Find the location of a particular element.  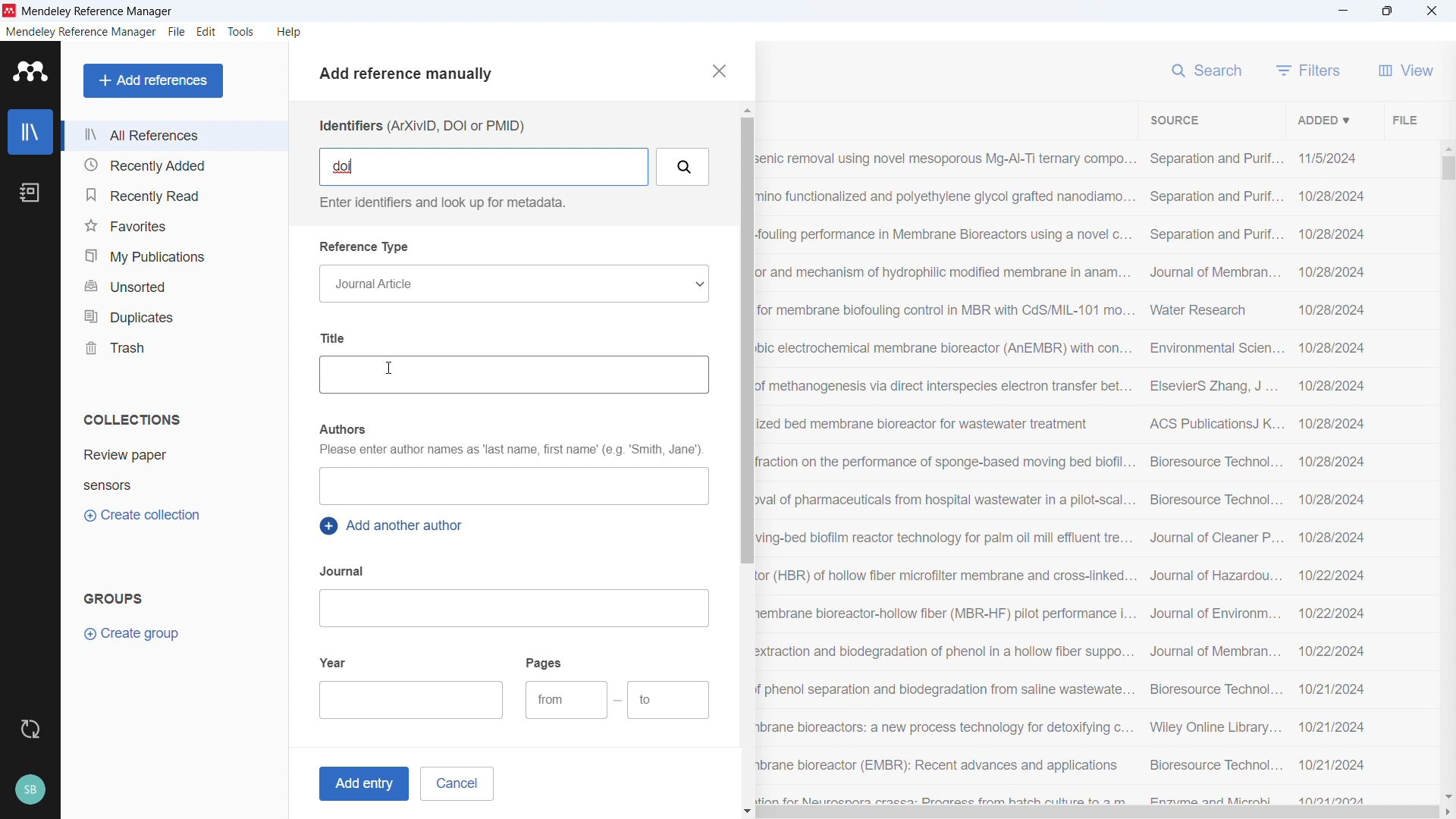

Starting page  is located at coordinates (566, 700).